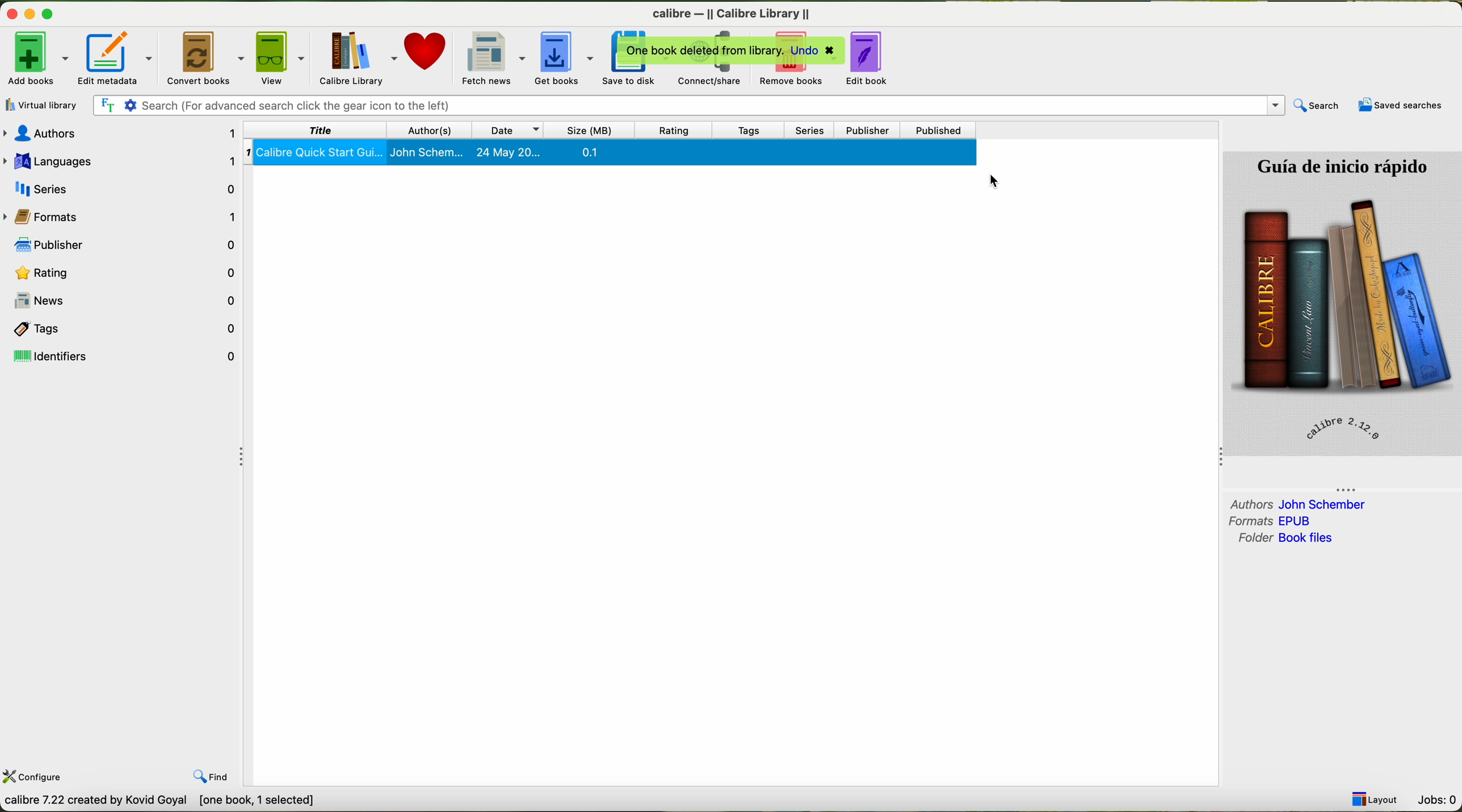 This screenshot has width=1462, height=812. I want to click on connect/share, so click(710, 58).